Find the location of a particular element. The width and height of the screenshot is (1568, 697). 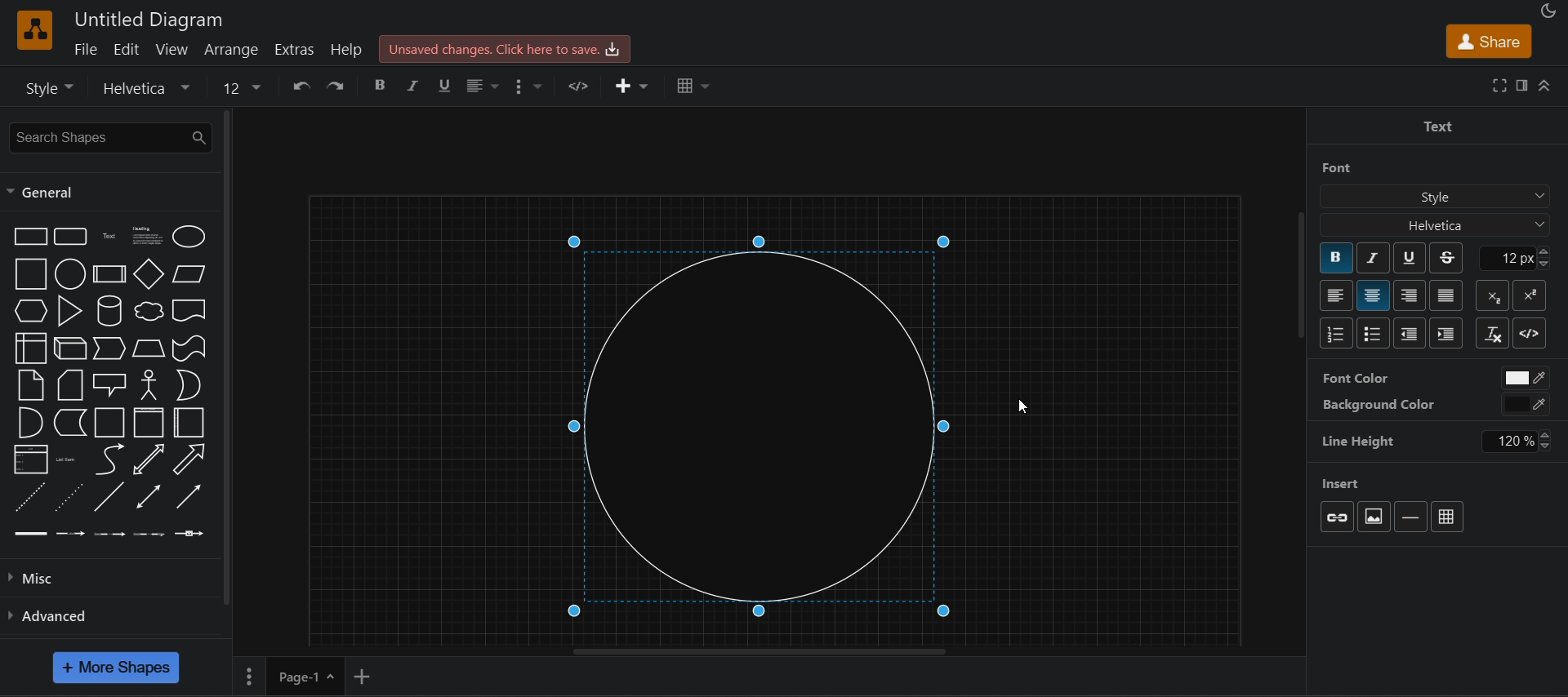

bold is located at coordinates (384, 86).